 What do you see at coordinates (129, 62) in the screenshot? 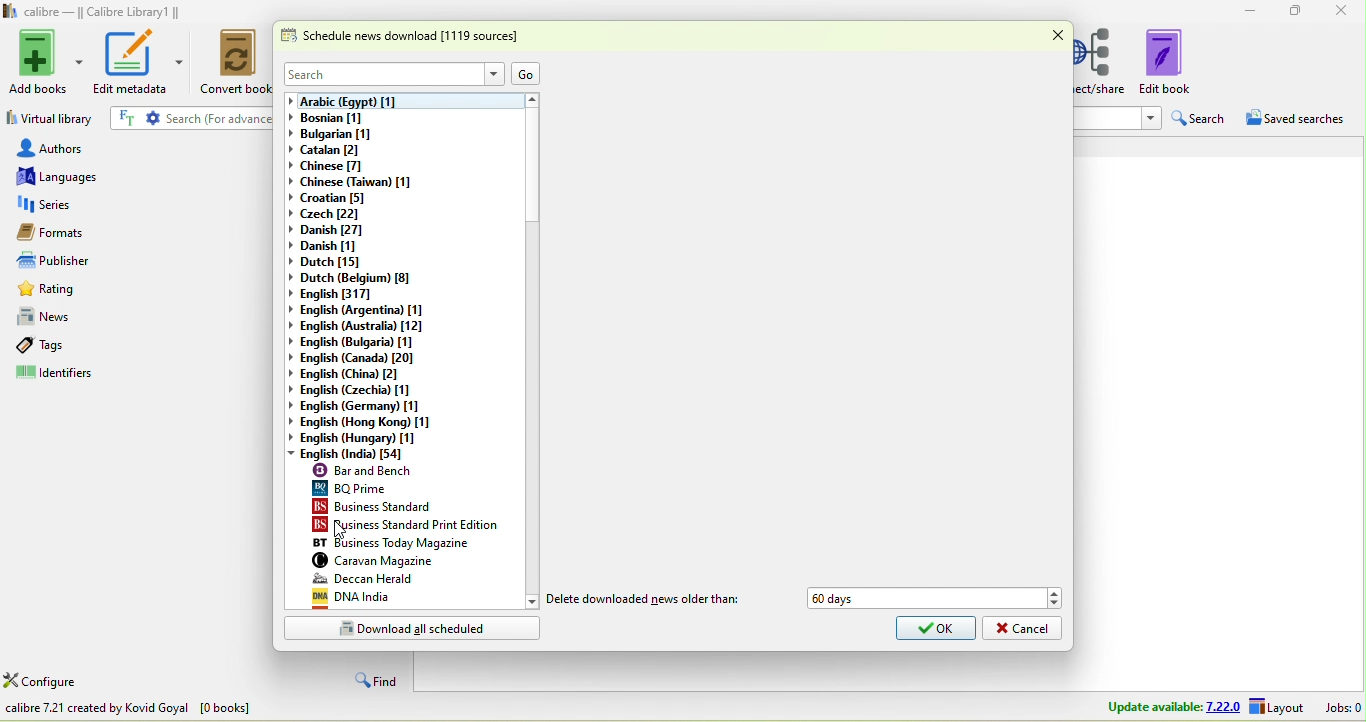
I see `edit metadata` at bounding box center [129, 62].